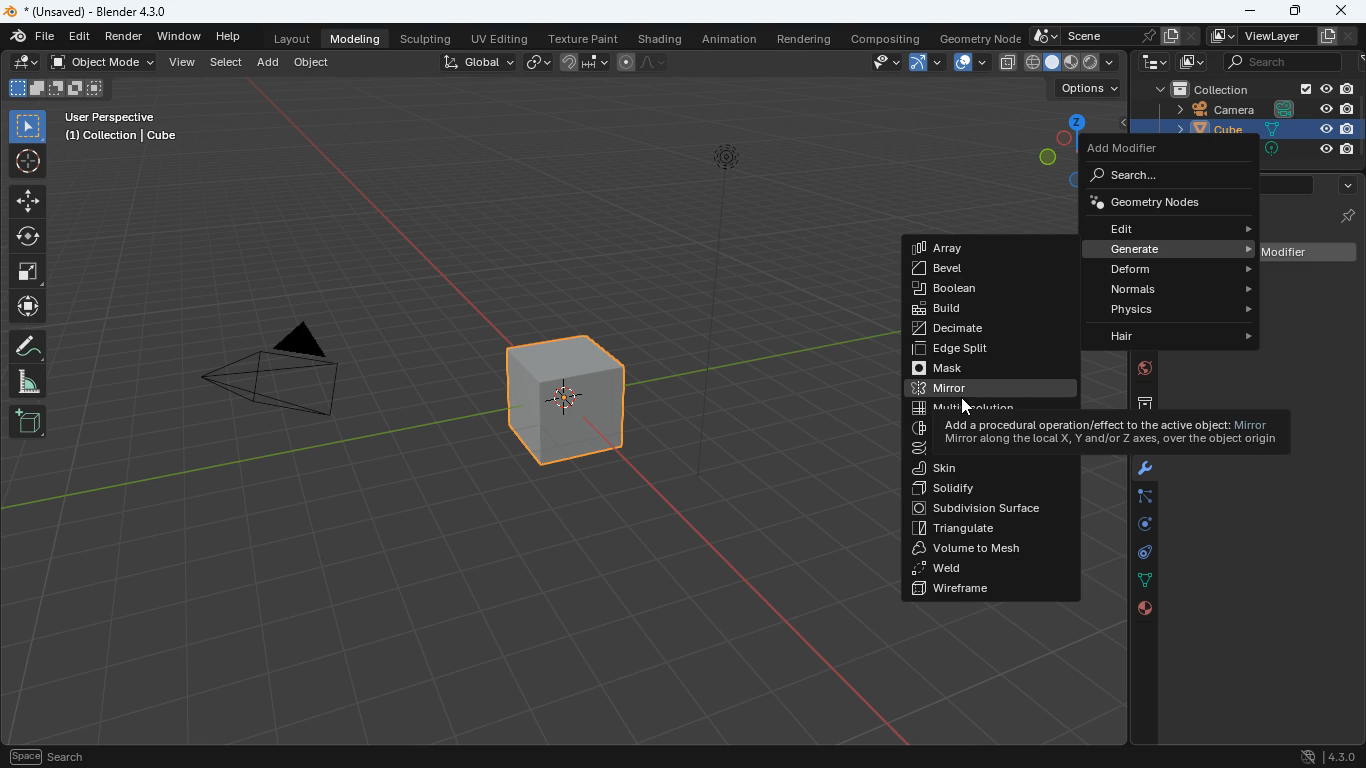  Describe the element at coordinates (23, 274) in the screenshot. I see `fullscreen` at that location.